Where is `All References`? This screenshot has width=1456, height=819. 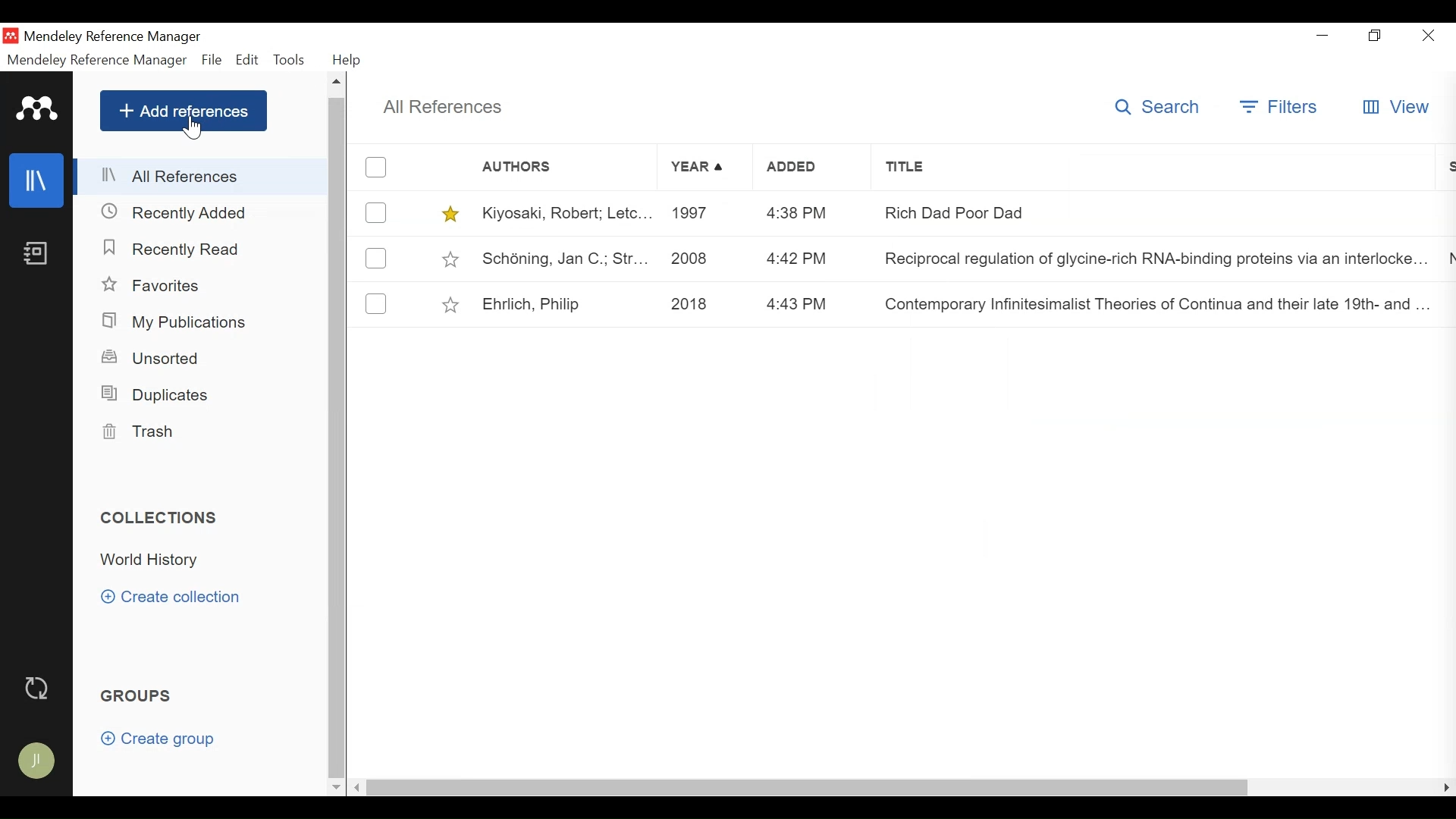
All References is located at coordinates (201, 177).